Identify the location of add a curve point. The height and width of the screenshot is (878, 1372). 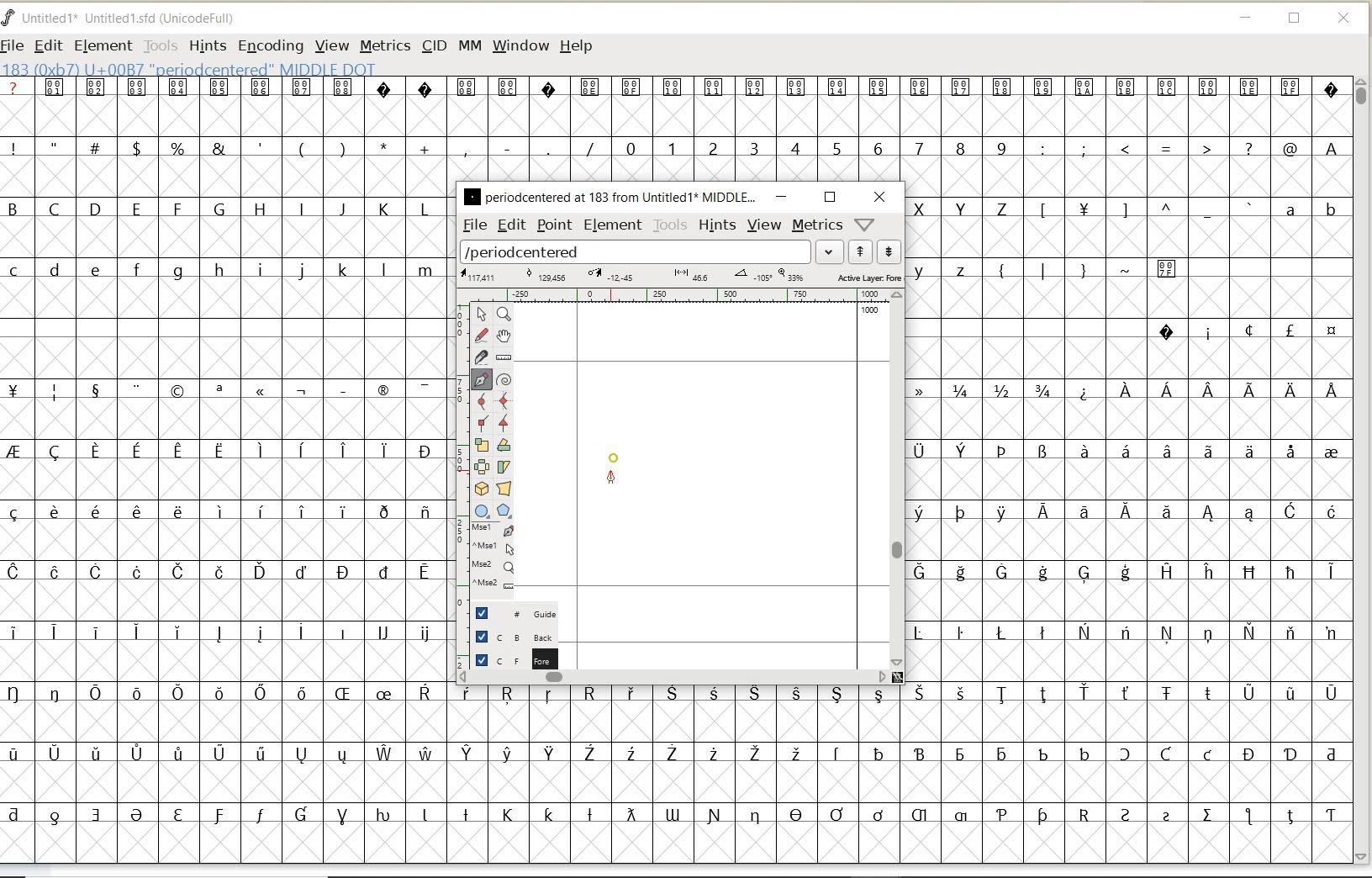
(483, 399).